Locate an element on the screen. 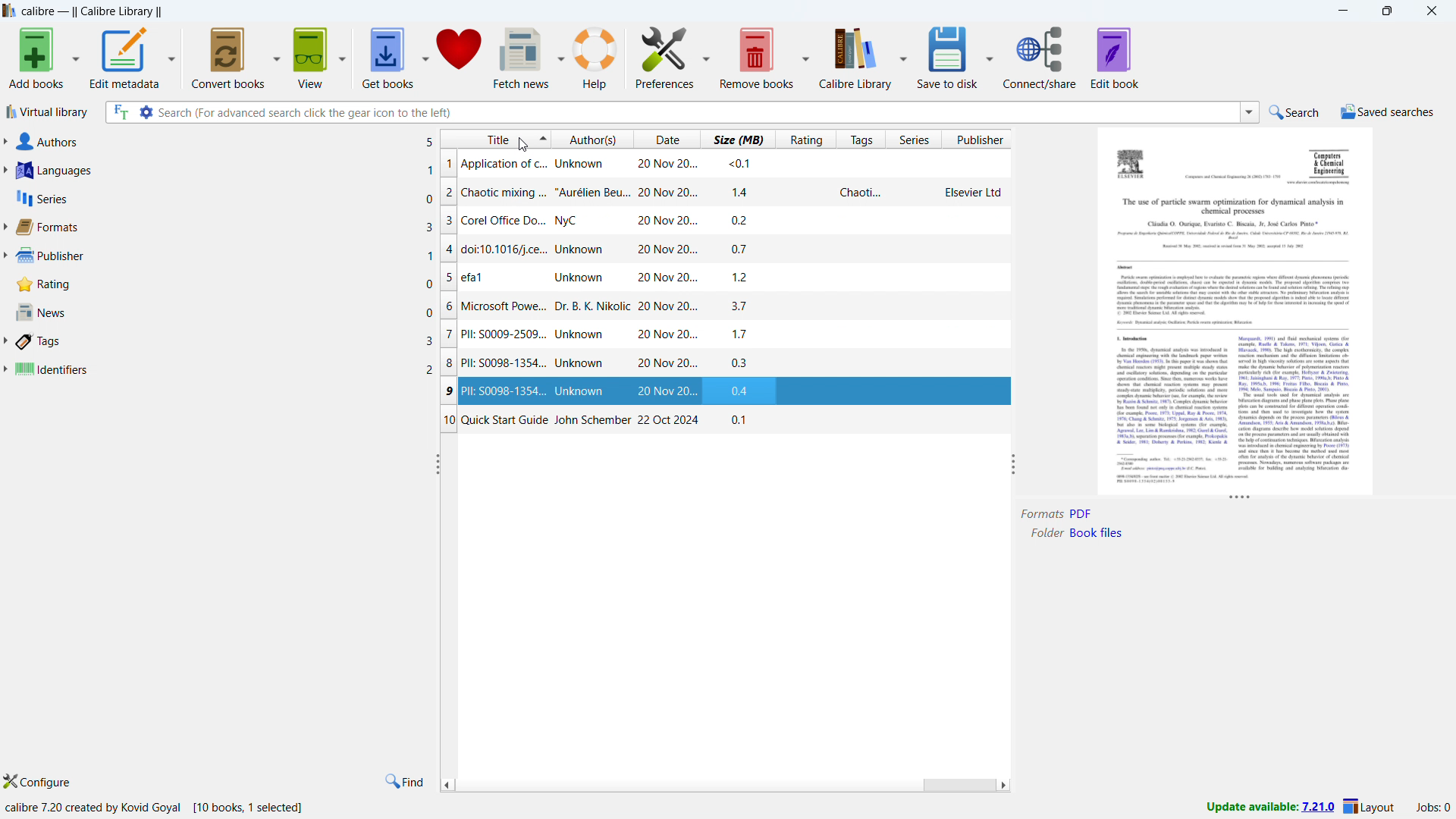 This screenshot has height=819, width=1456. search full text is located at coordinates (118, 113).